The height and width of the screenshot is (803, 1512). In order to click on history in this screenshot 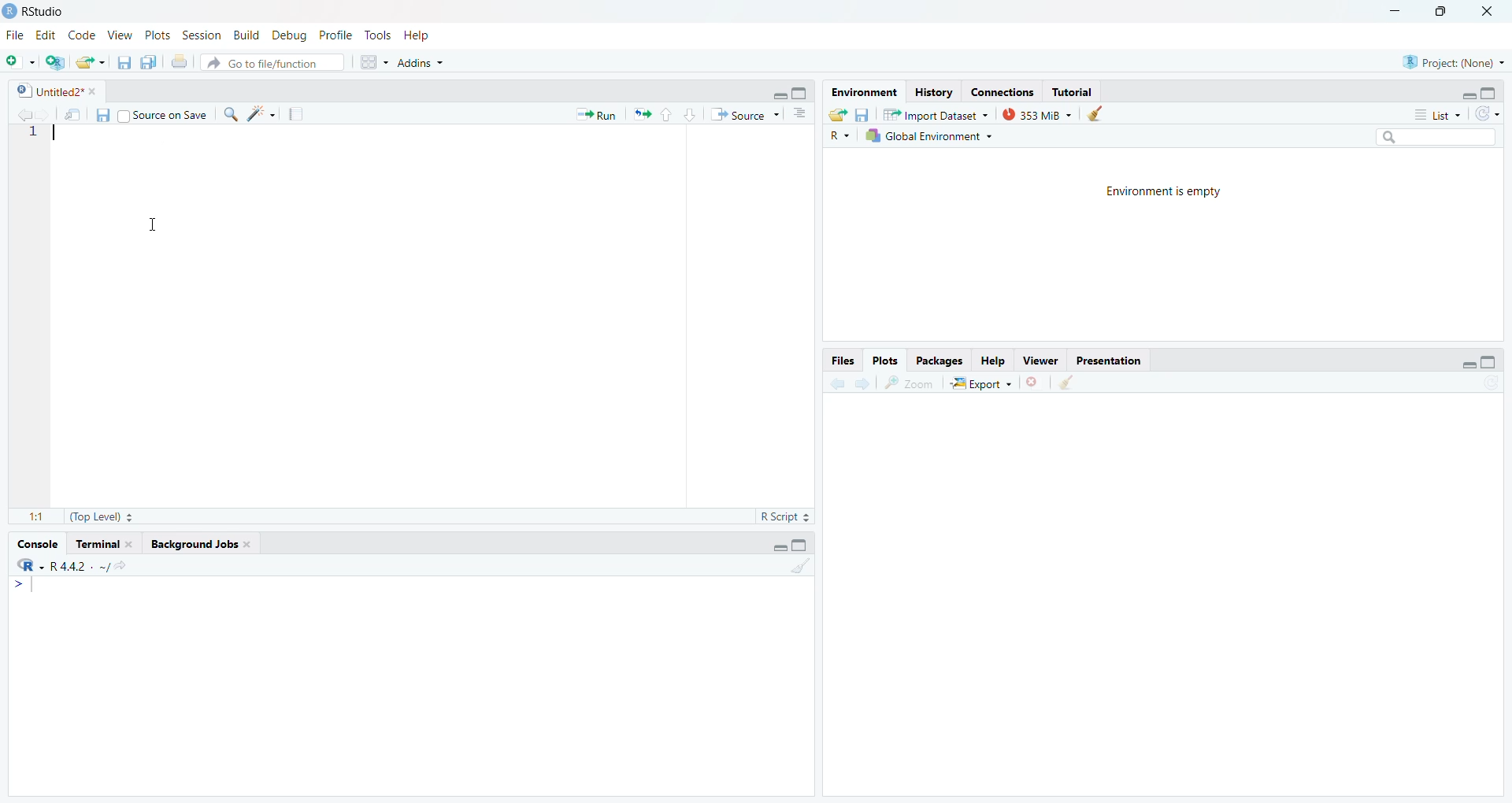, I will do `click(934, 91)`.